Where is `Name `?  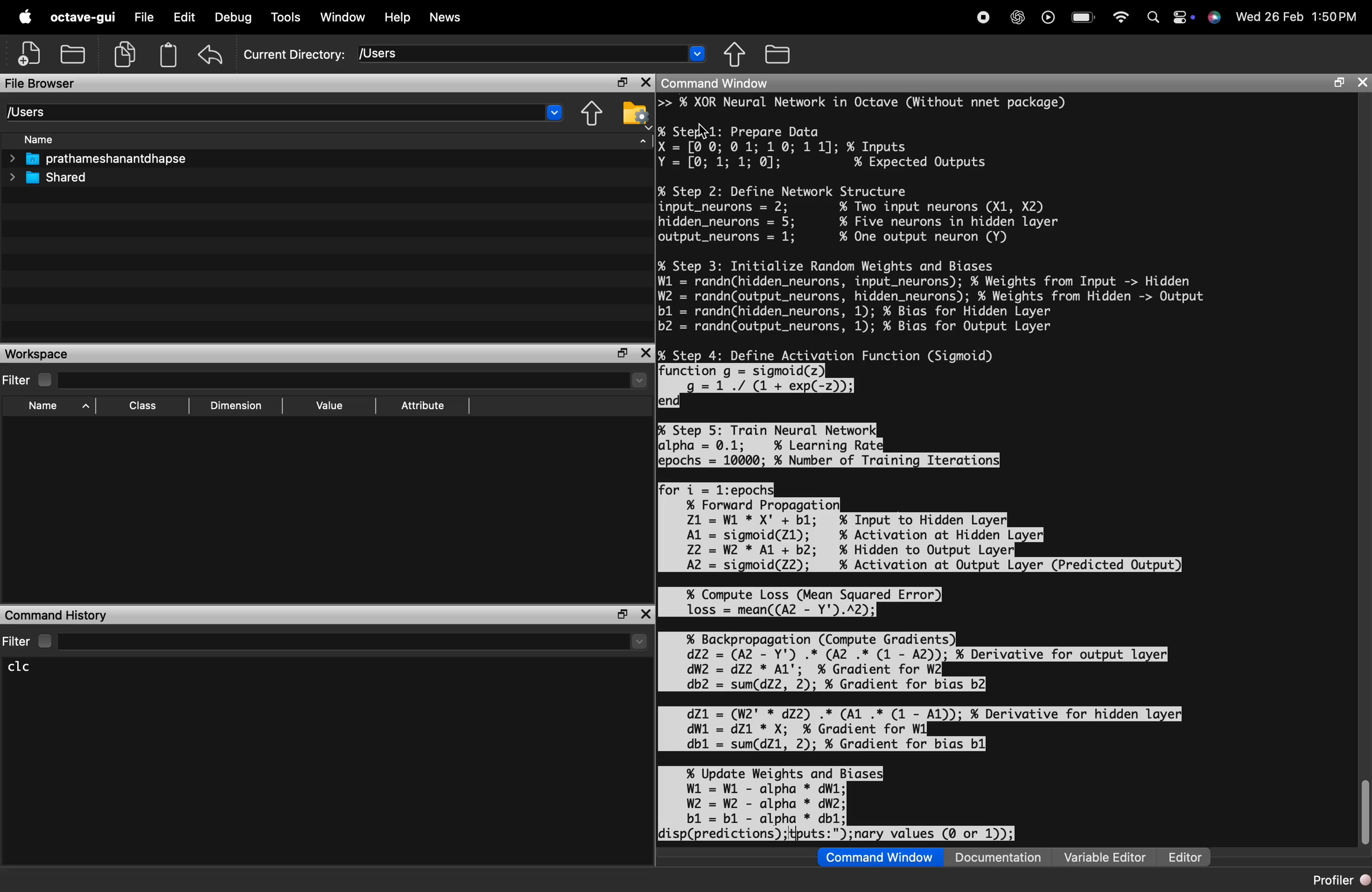
Name  is located at coordinates (51, 408).